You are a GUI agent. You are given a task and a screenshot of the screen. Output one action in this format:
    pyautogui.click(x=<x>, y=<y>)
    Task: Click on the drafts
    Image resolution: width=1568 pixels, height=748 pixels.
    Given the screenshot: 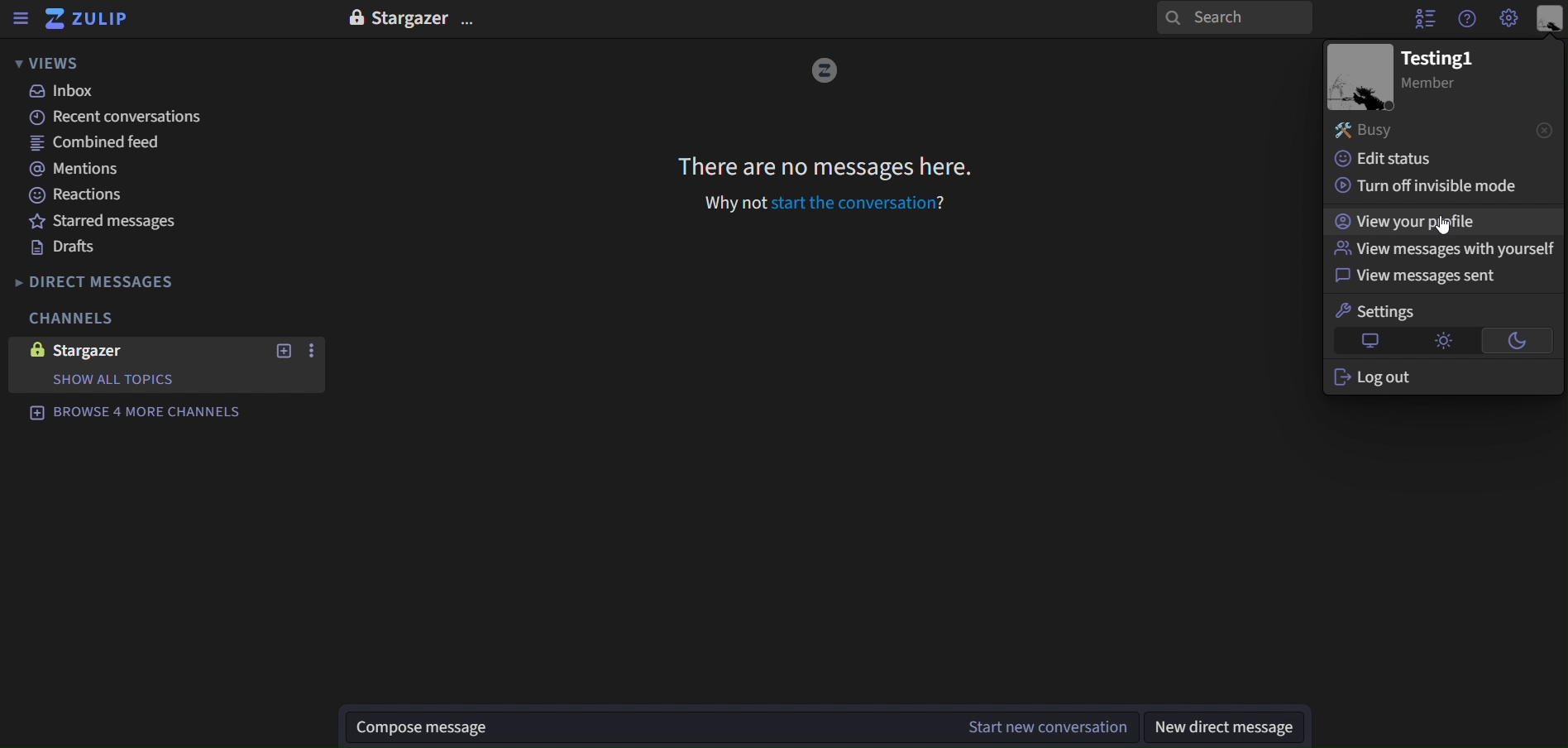 What is the action you would take?
    pyautogui.click(x=65, y=248)
    